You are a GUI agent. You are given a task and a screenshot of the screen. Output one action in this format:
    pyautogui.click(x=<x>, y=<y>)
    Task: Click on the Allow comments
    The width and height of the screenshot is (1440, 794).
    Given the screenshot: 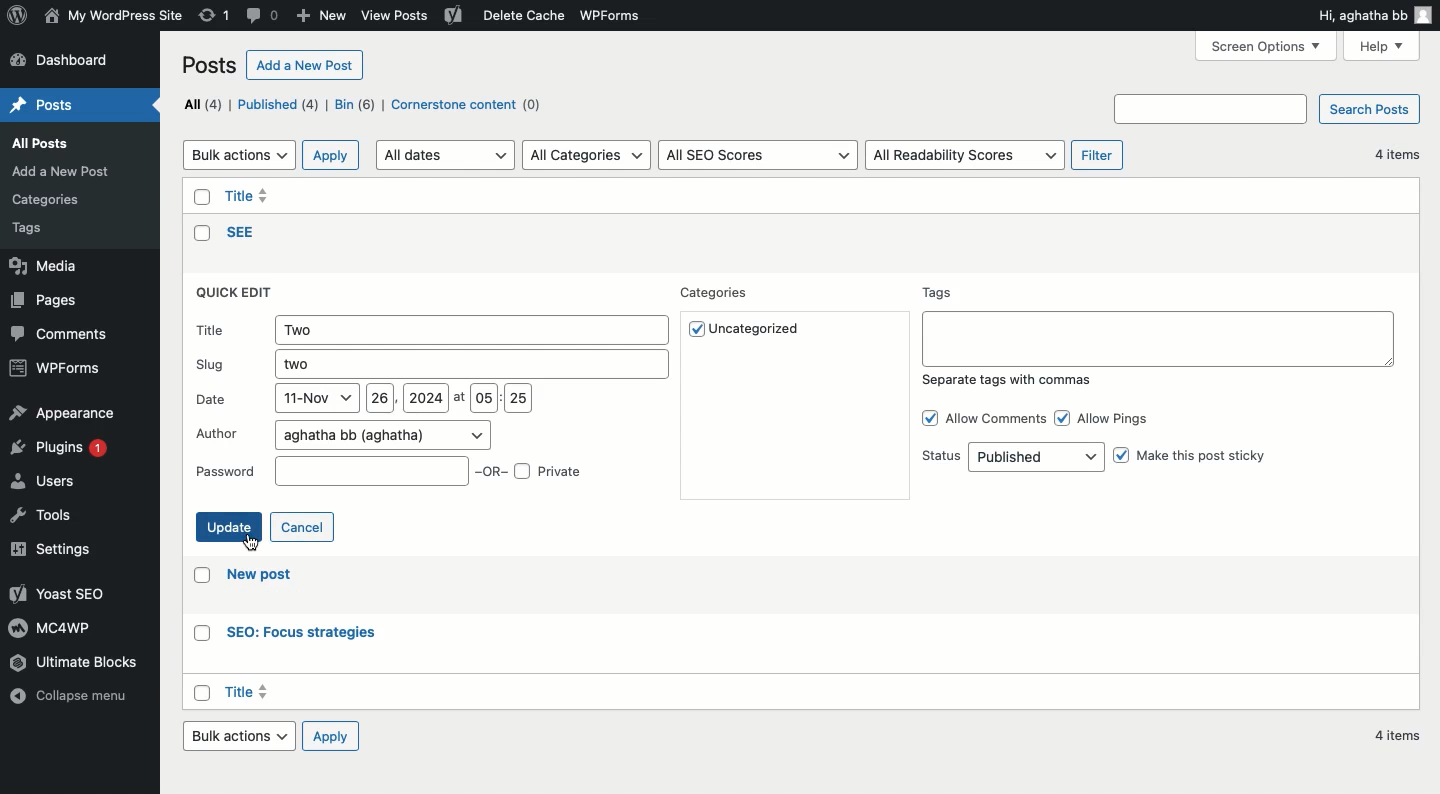 What is the action you would take?
    pyautogui.click(x=982, y=418)
    